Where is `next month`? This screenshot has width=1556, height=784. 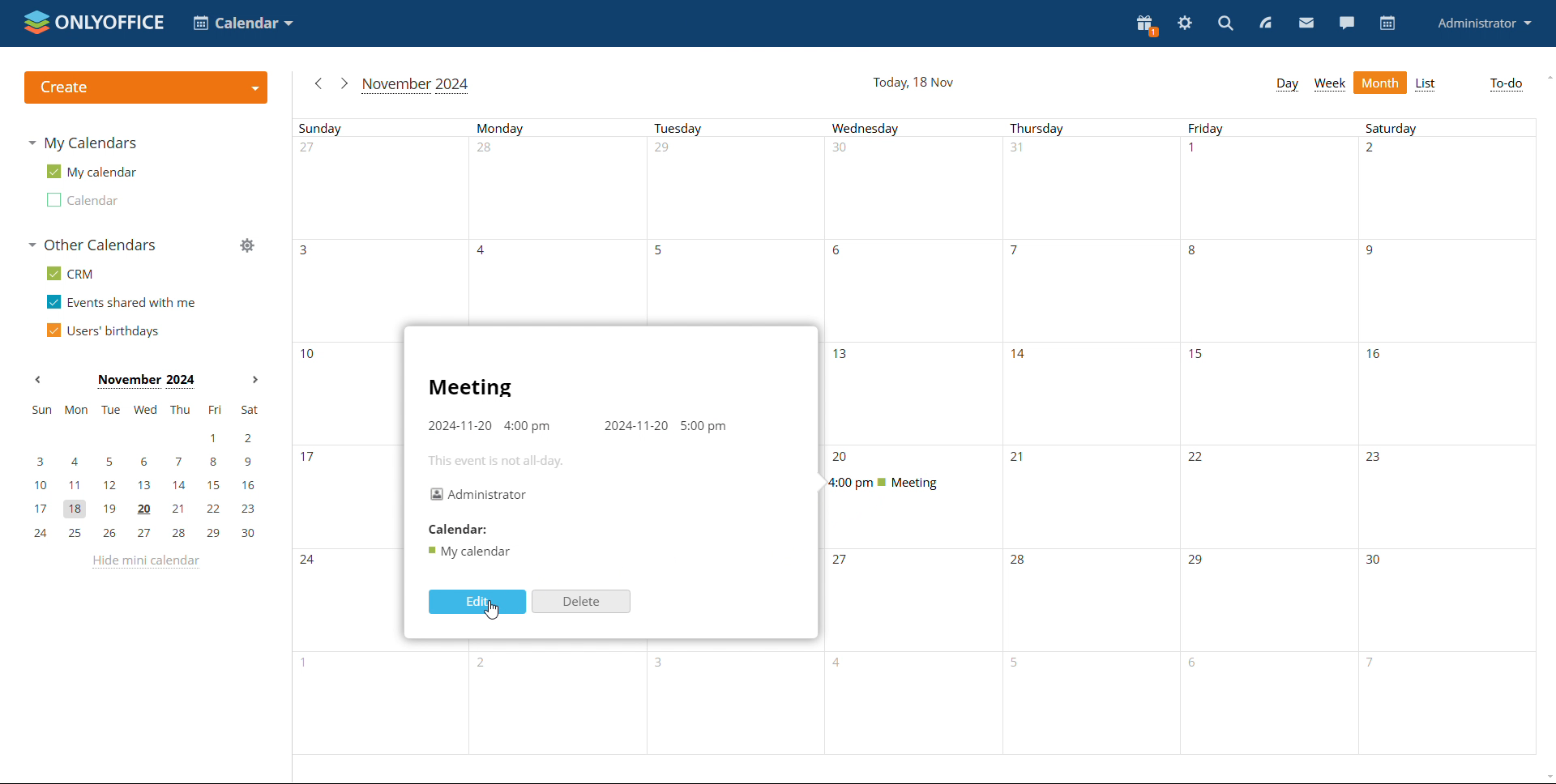
next month is located at coordinates (344, 83).